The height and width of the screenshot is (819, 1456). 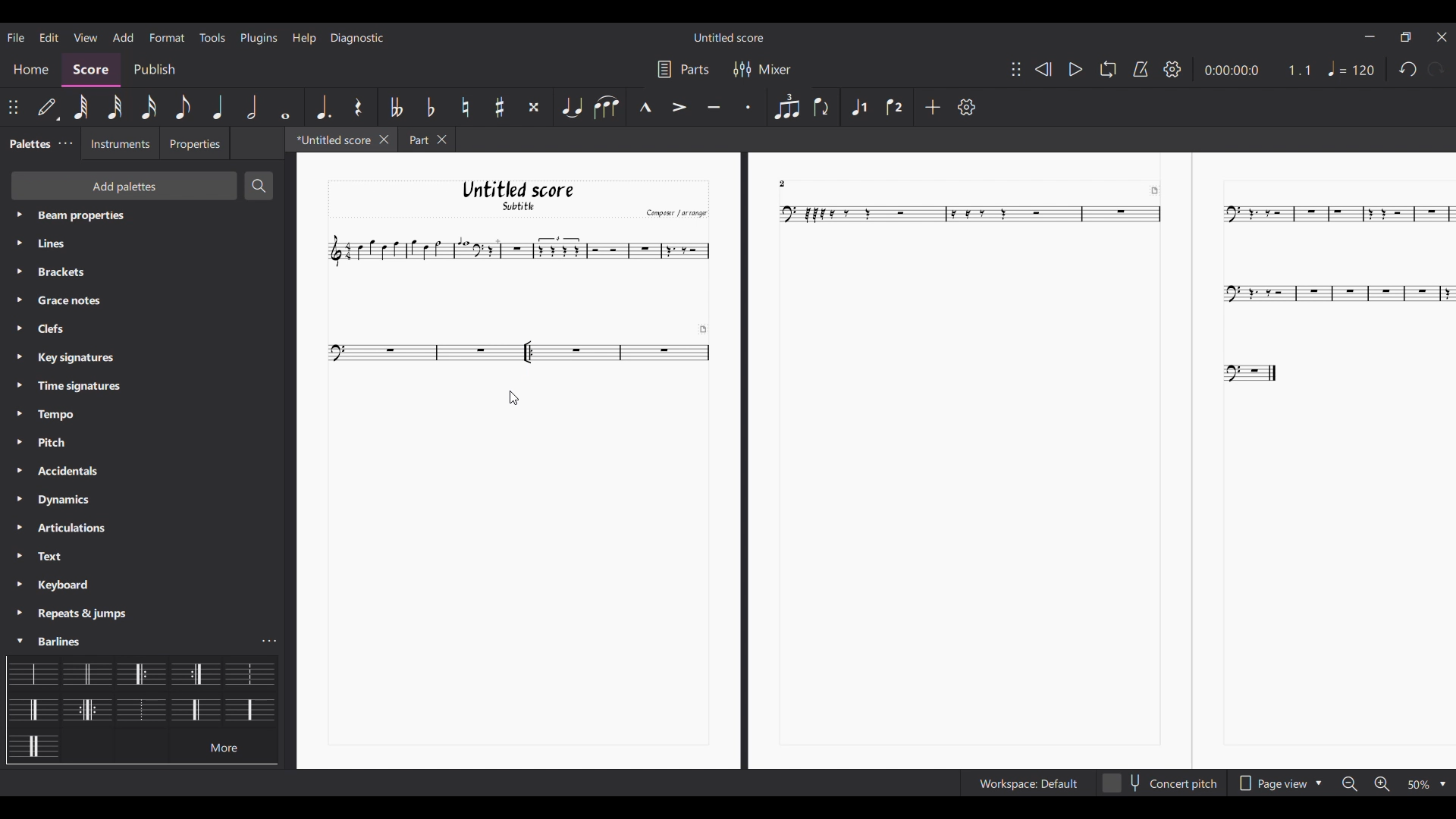 I want to click on Barline options, so click(x=32, y=746).